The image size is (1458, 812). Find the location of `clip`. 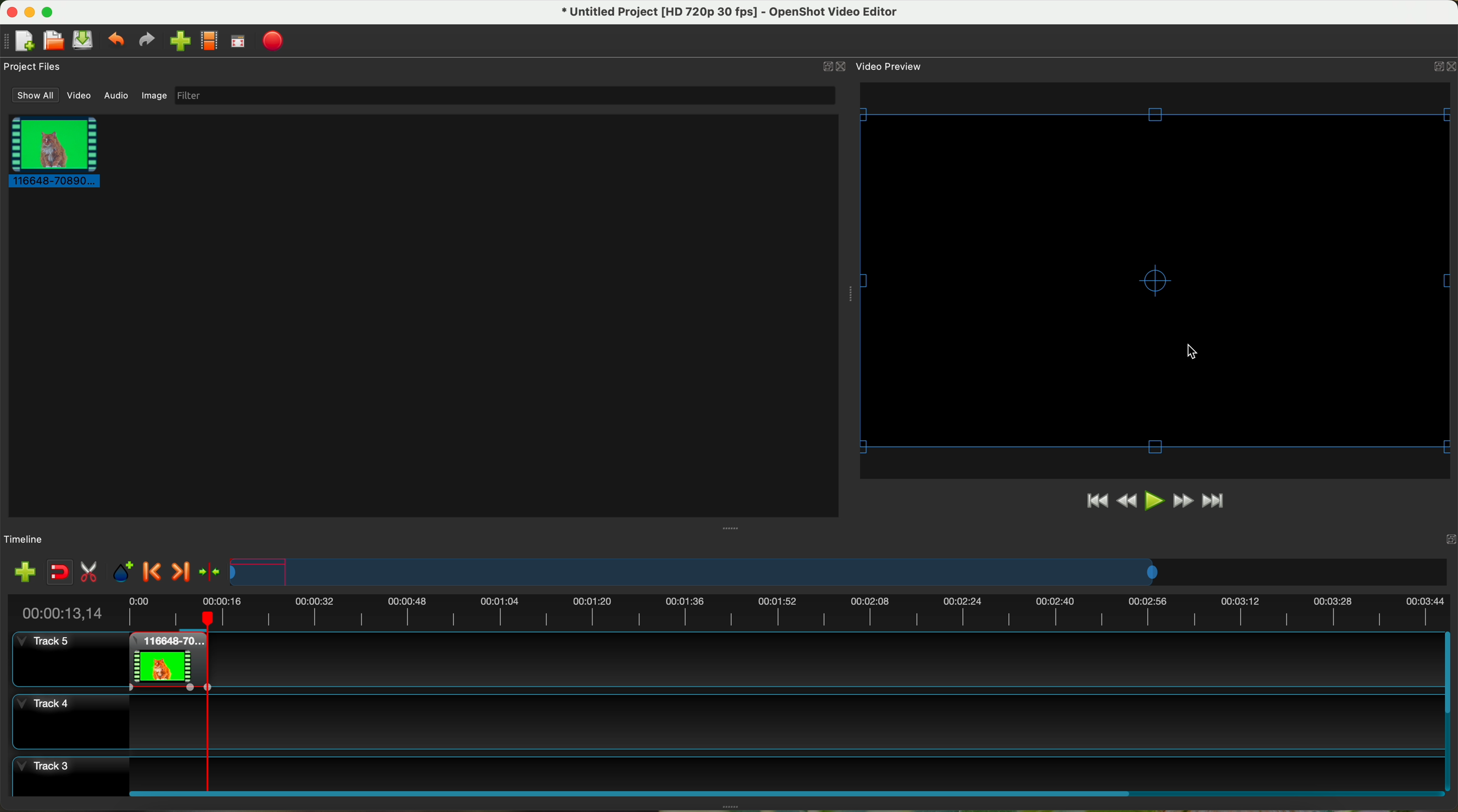

clip is located at coordinates (51, 151).